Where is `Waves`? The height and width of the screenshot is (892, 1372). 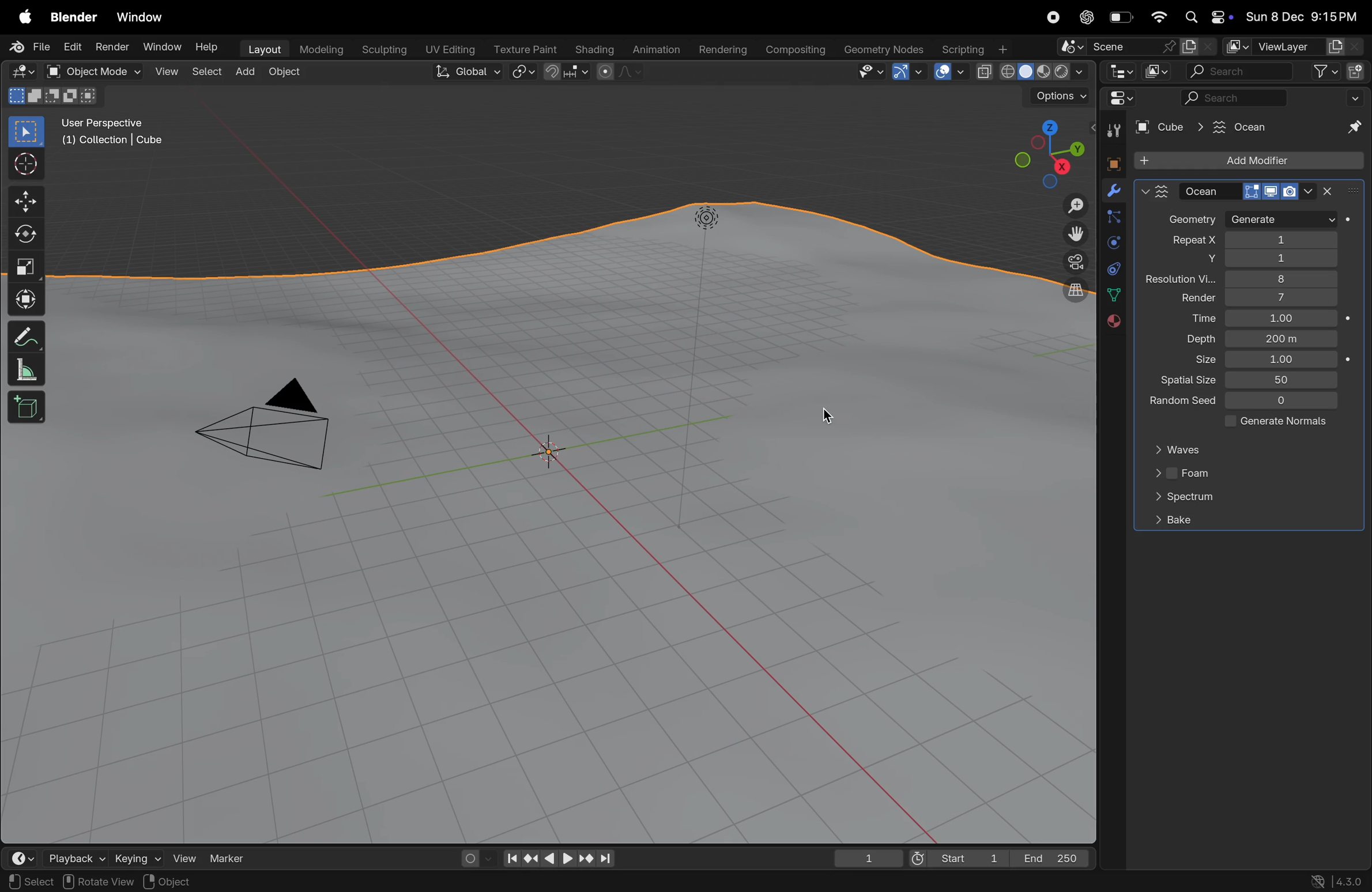 Waves is located at coordinates (1183, 450).